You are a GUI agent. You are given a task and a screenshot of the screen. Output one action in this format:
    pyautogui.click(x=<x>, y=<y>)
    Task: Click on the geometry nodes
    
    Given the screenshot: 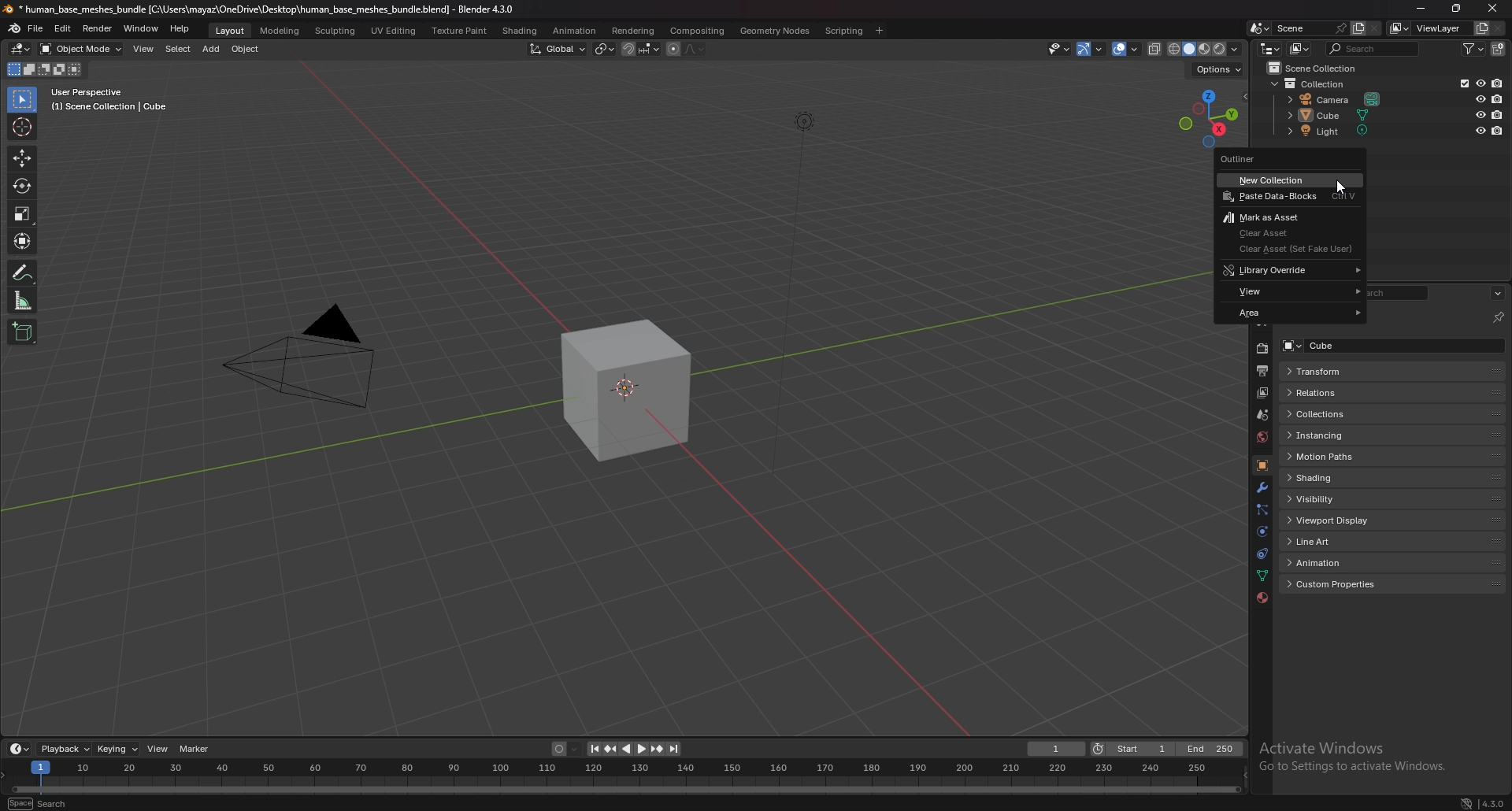 What is the action you would take?
    pyautogui.click(x=774, y=31)
    